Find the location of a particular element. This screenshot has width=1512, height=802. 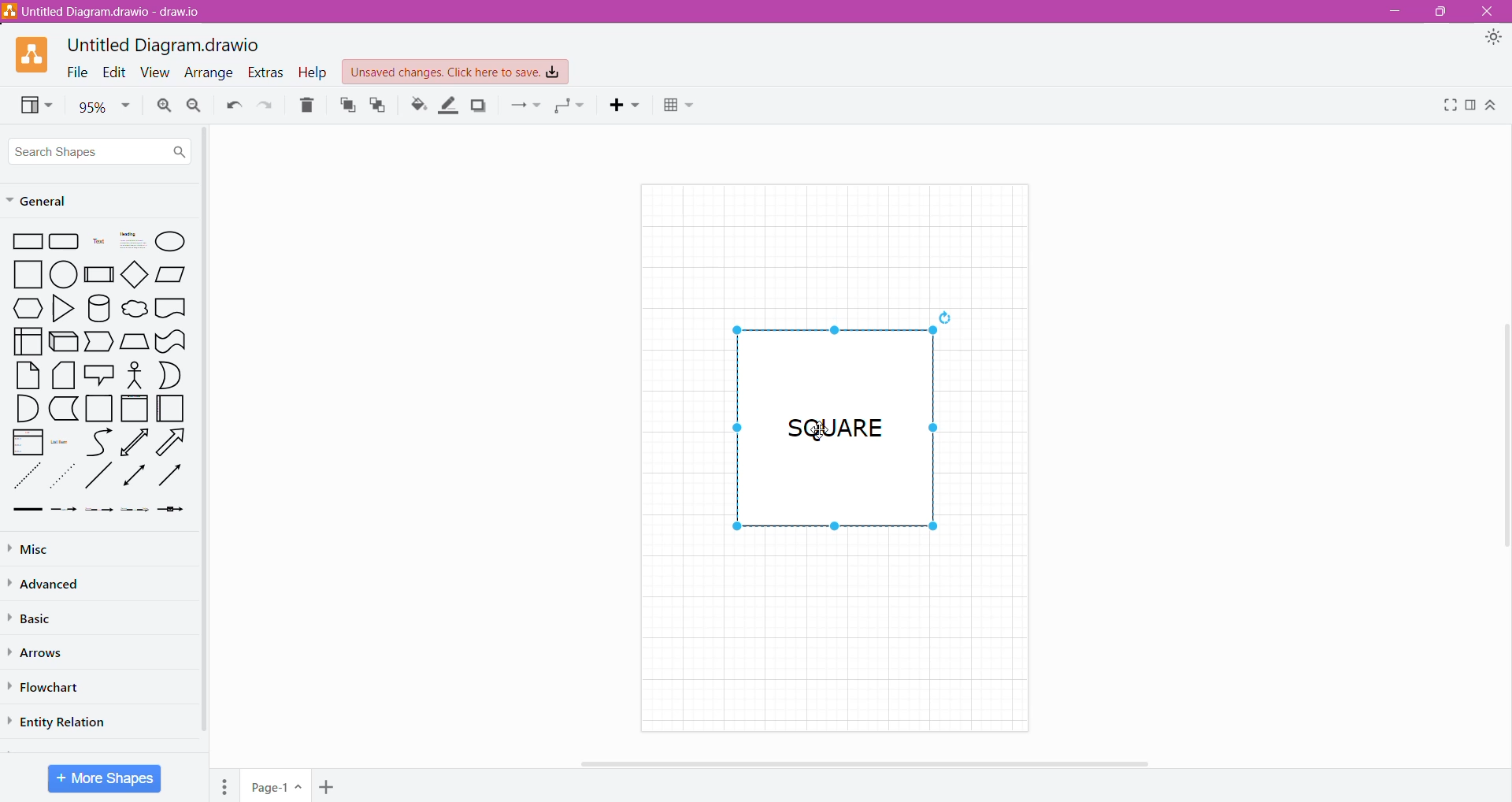

Subprocess is located at coordinates (99, 274).